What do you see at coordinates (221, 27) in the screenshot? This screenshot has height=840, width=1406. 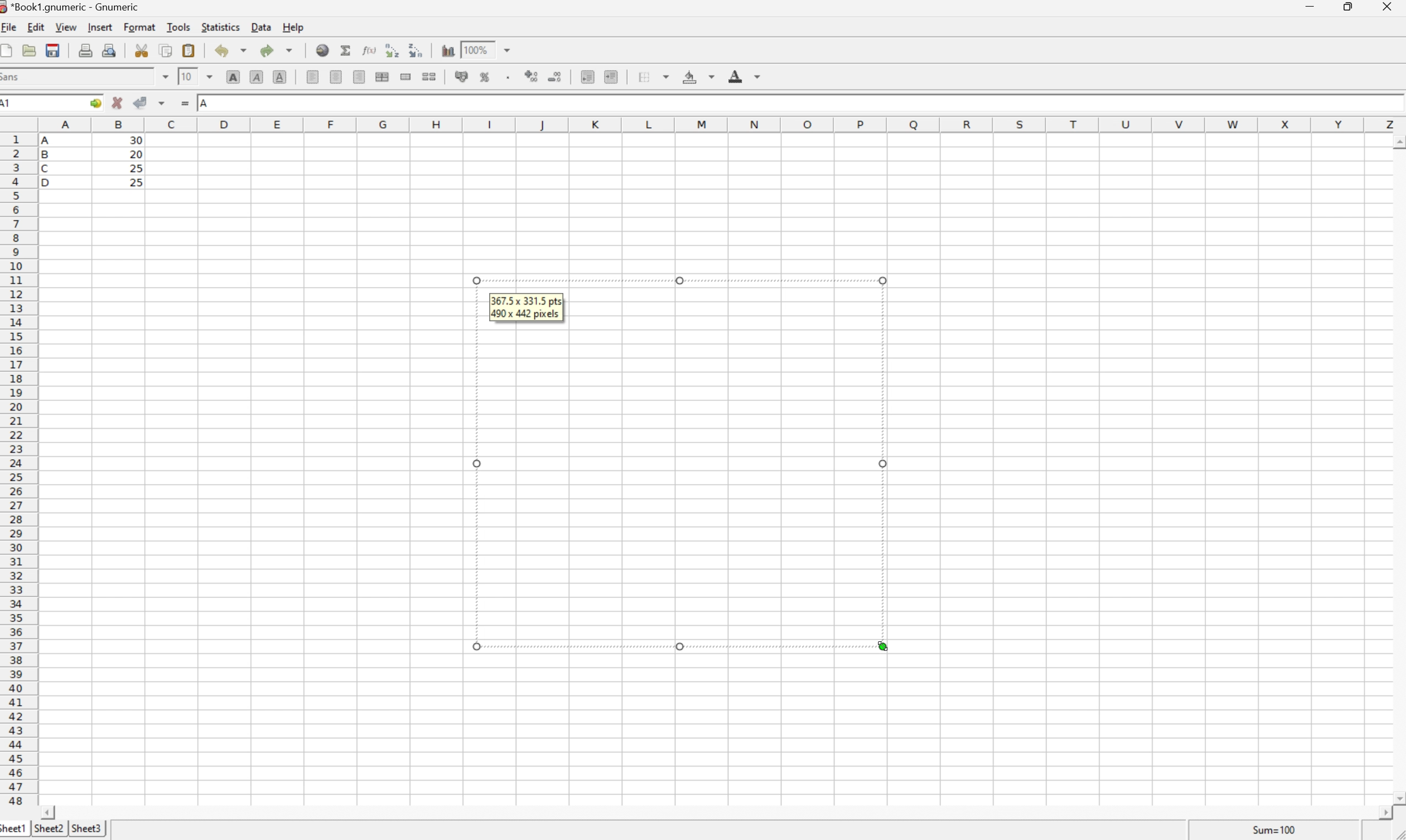 I see `Statistics` at bounding box center [221, 27].